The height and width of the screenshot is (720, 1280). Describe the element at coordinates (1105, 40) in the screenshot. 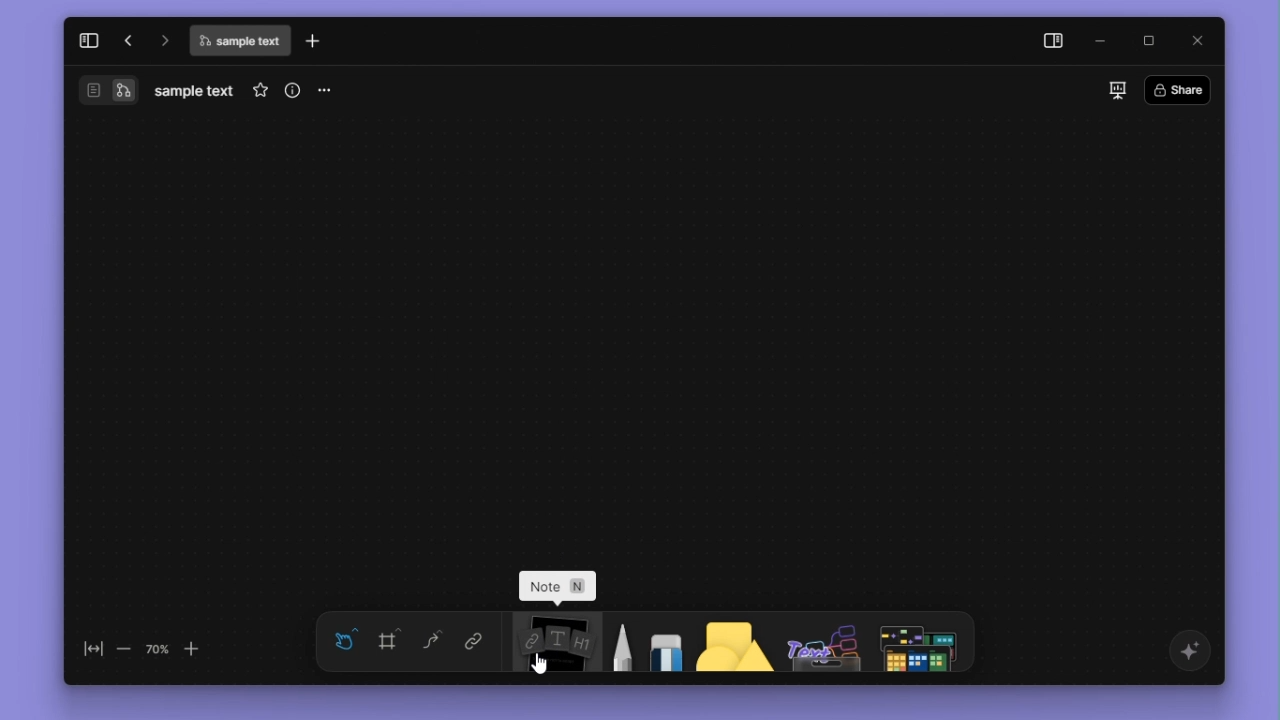

I see `minimize` at that location.